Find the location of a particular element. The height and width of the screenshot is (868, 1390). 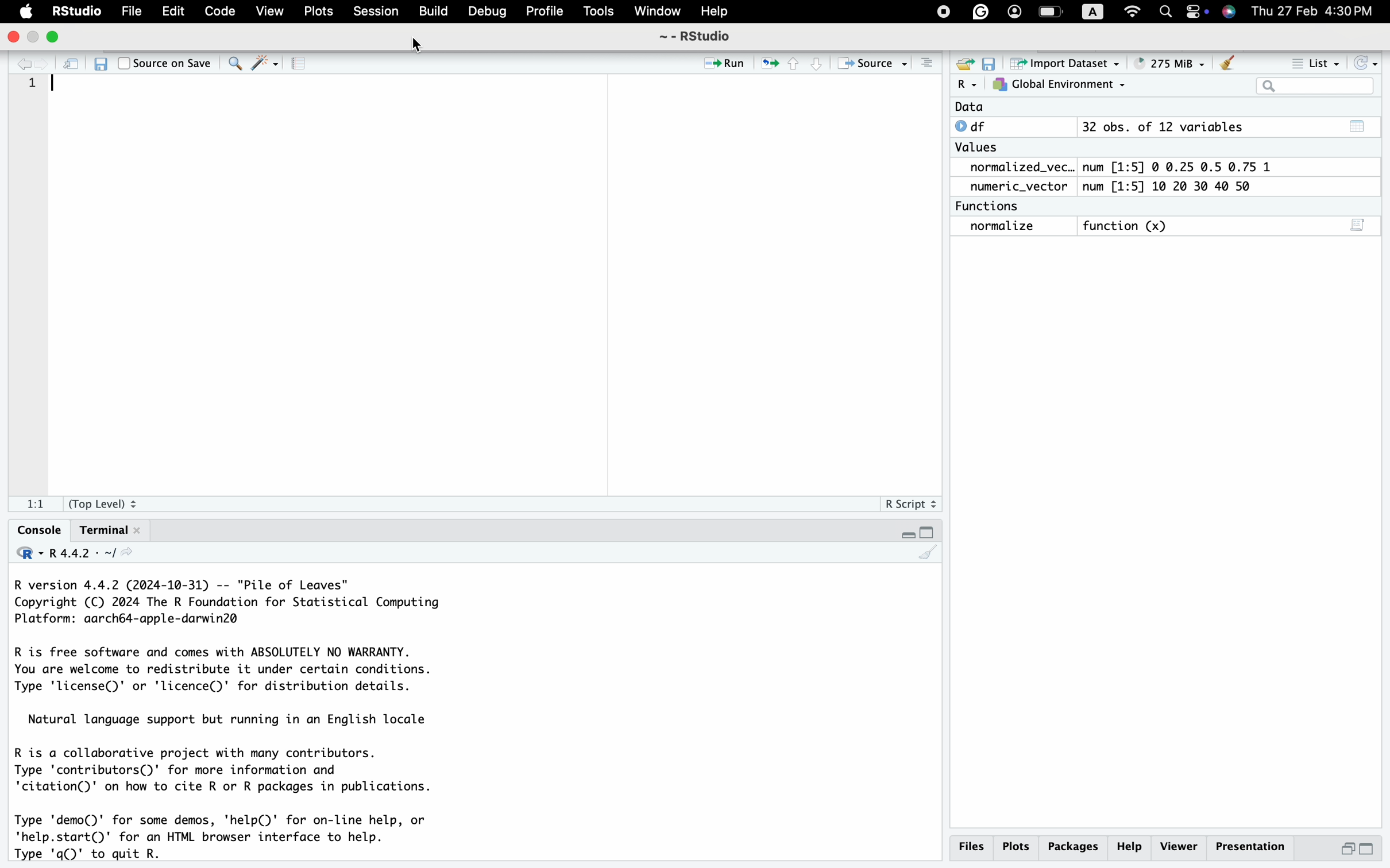

profile is located at coordinates (1014, 11).